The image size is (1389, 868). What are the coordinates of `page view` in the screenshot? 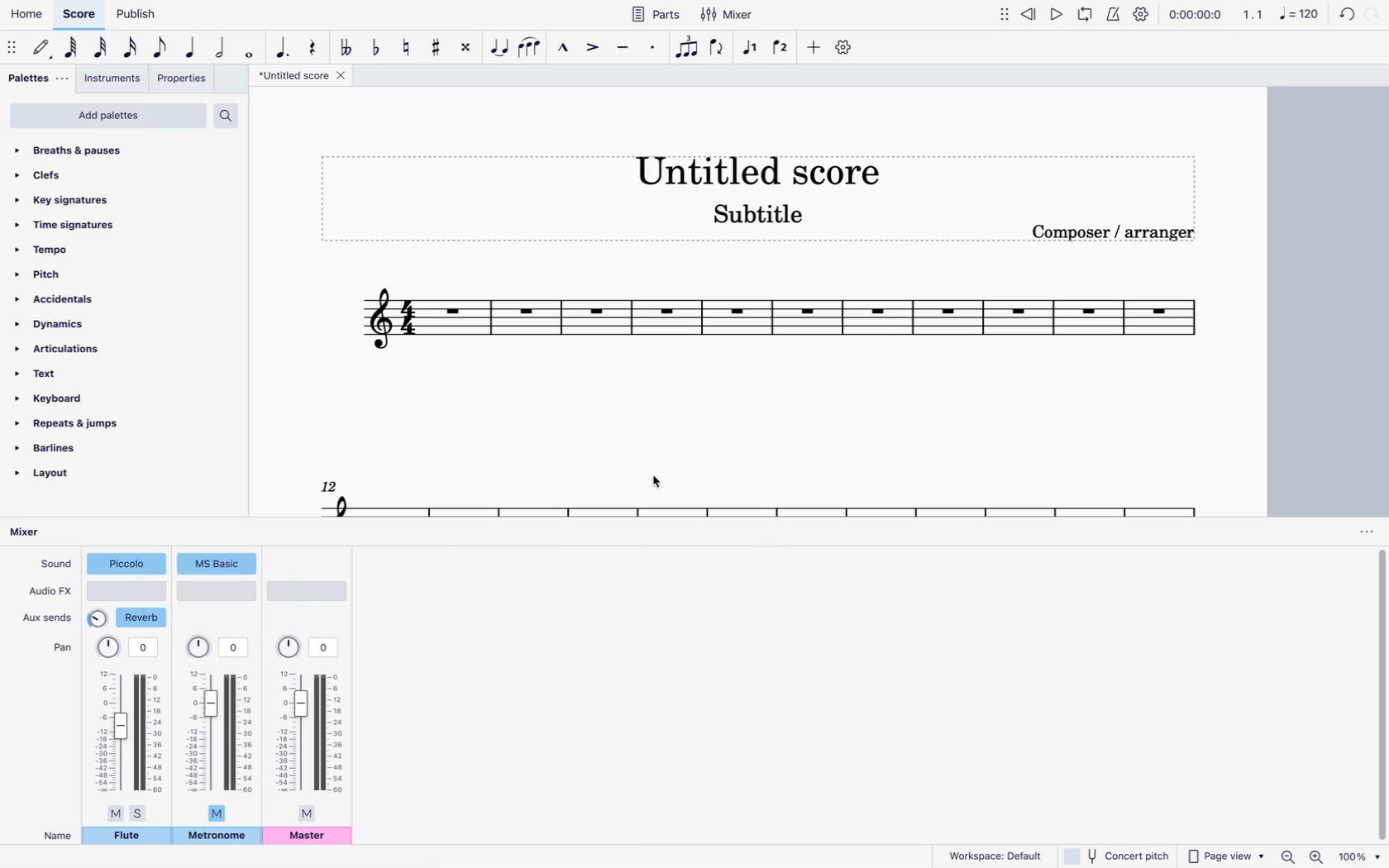 It's located at (1225, 853).